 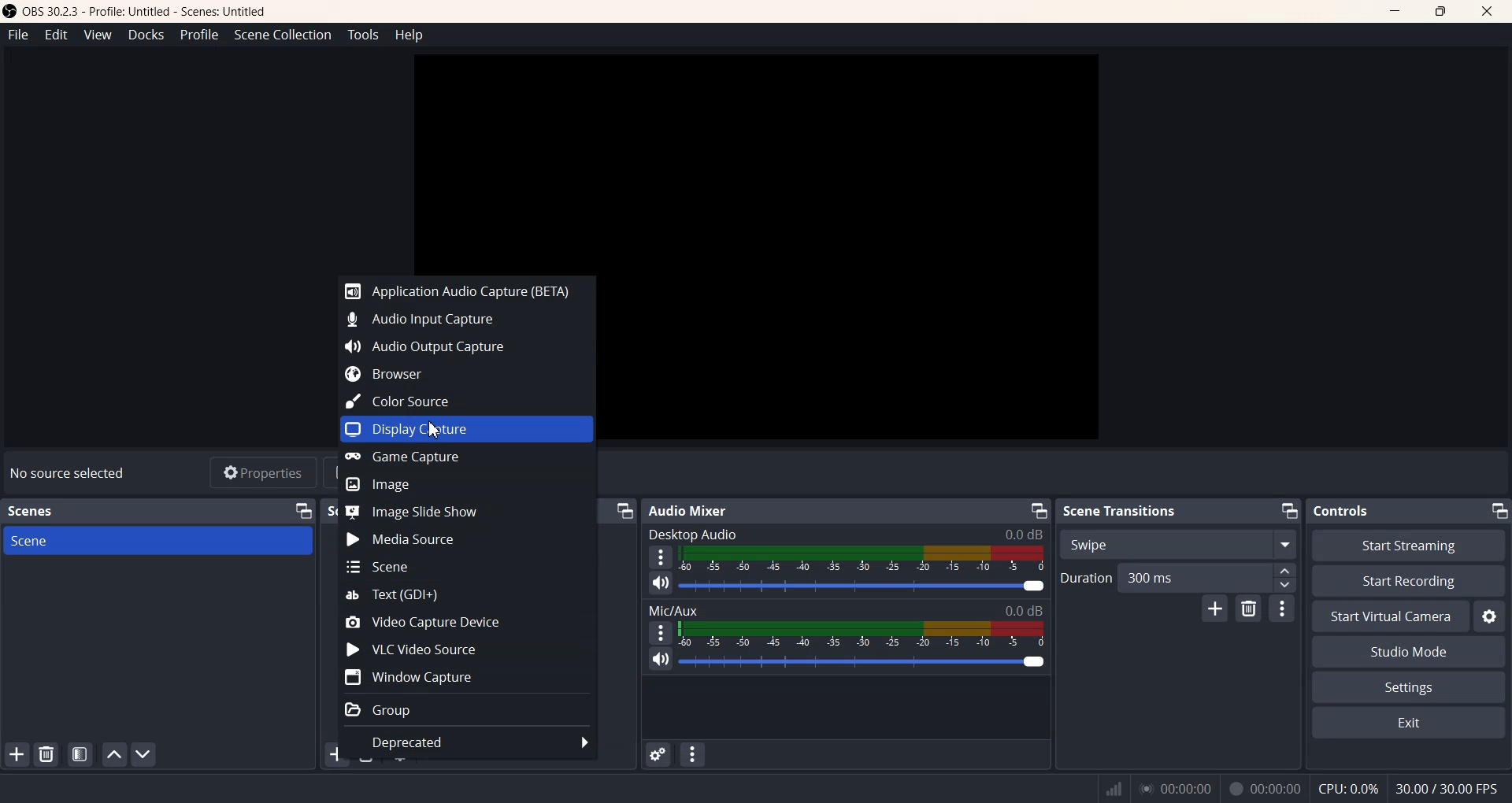 I want to click on Scene Collection, so click(x=282, y=35).